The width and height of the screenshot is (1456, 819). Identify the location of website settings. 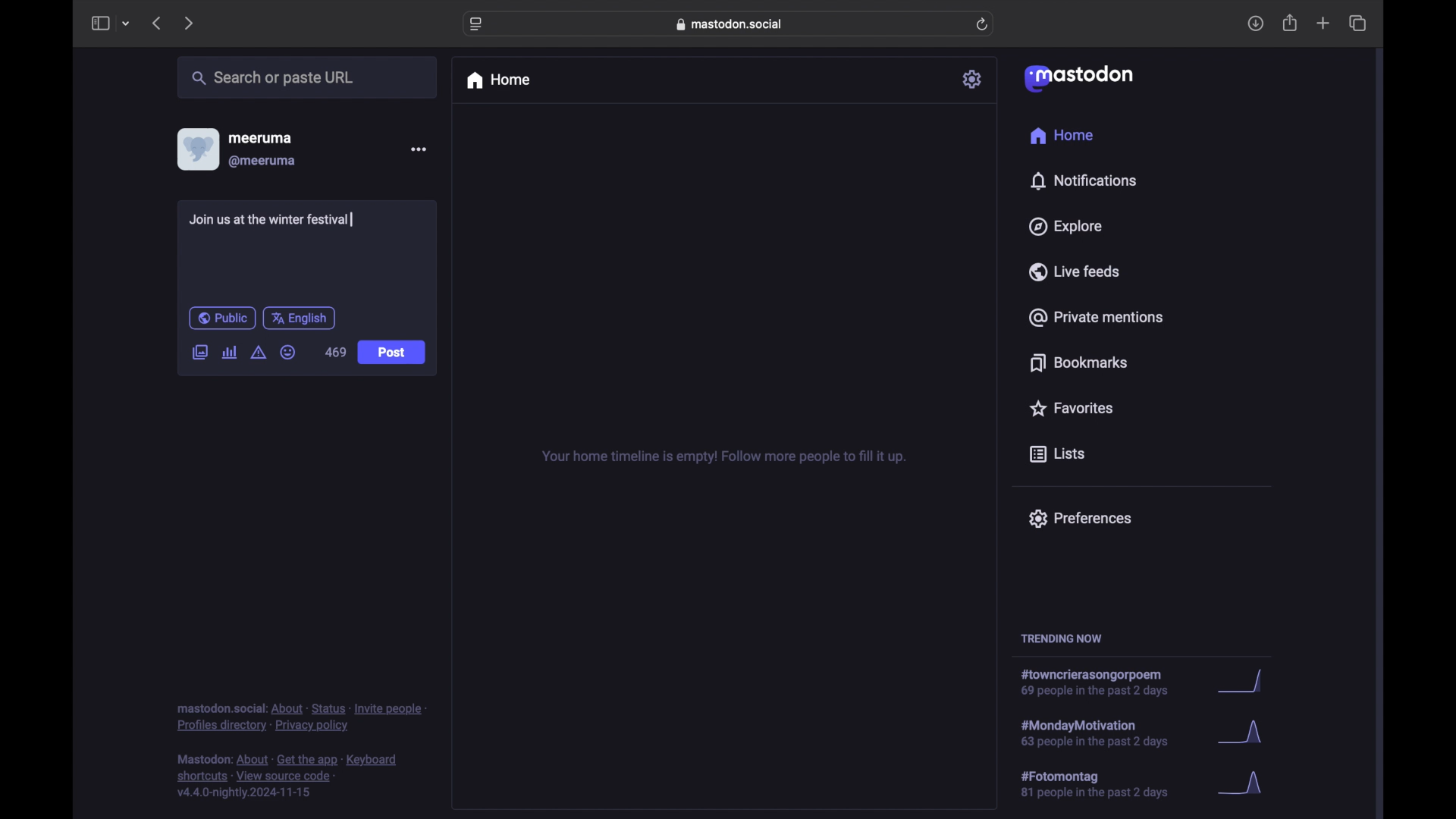
(478, 24).